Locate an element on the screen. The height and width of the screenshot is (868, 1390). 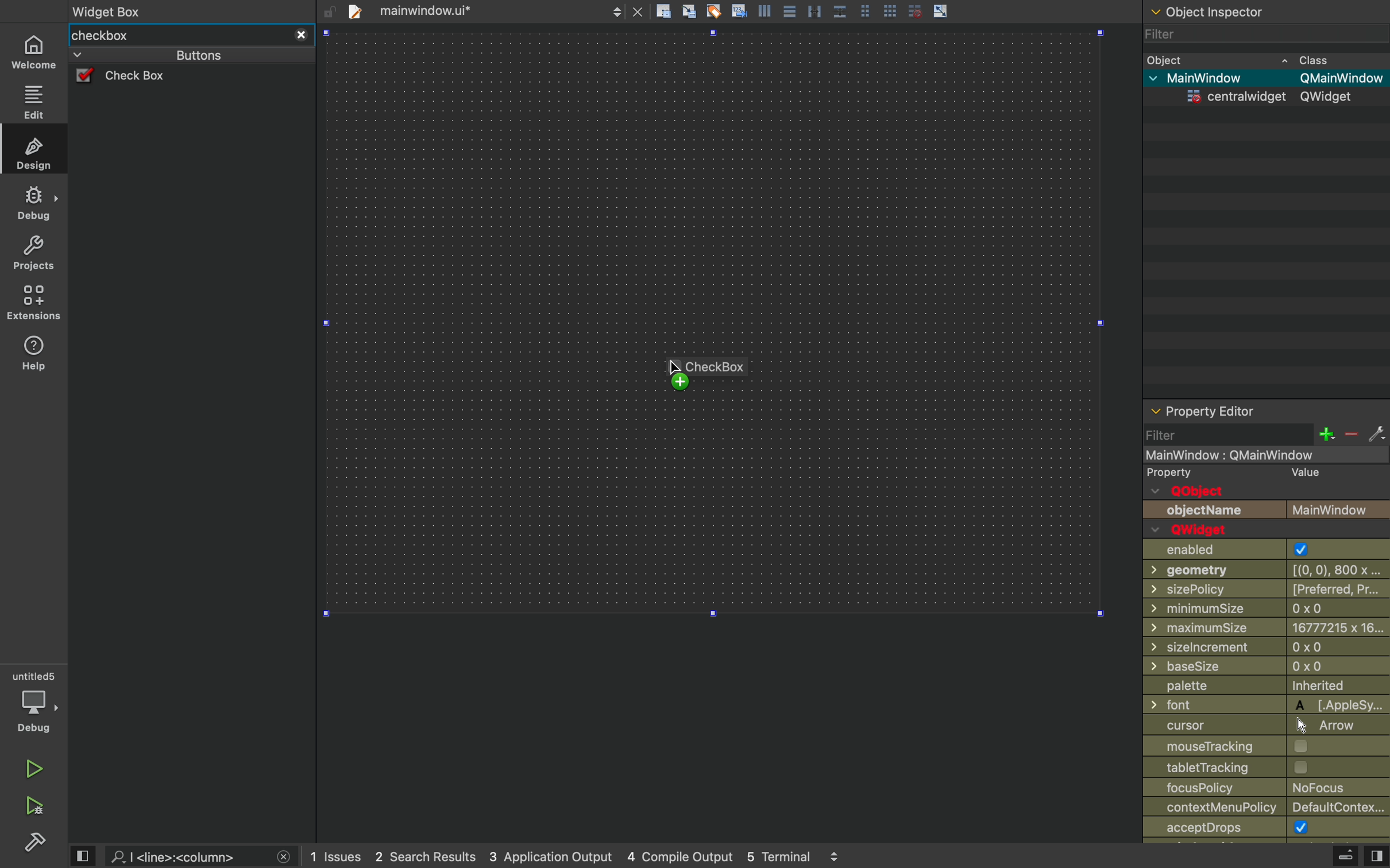
maximum size  is located at coordinates (1267, 627).